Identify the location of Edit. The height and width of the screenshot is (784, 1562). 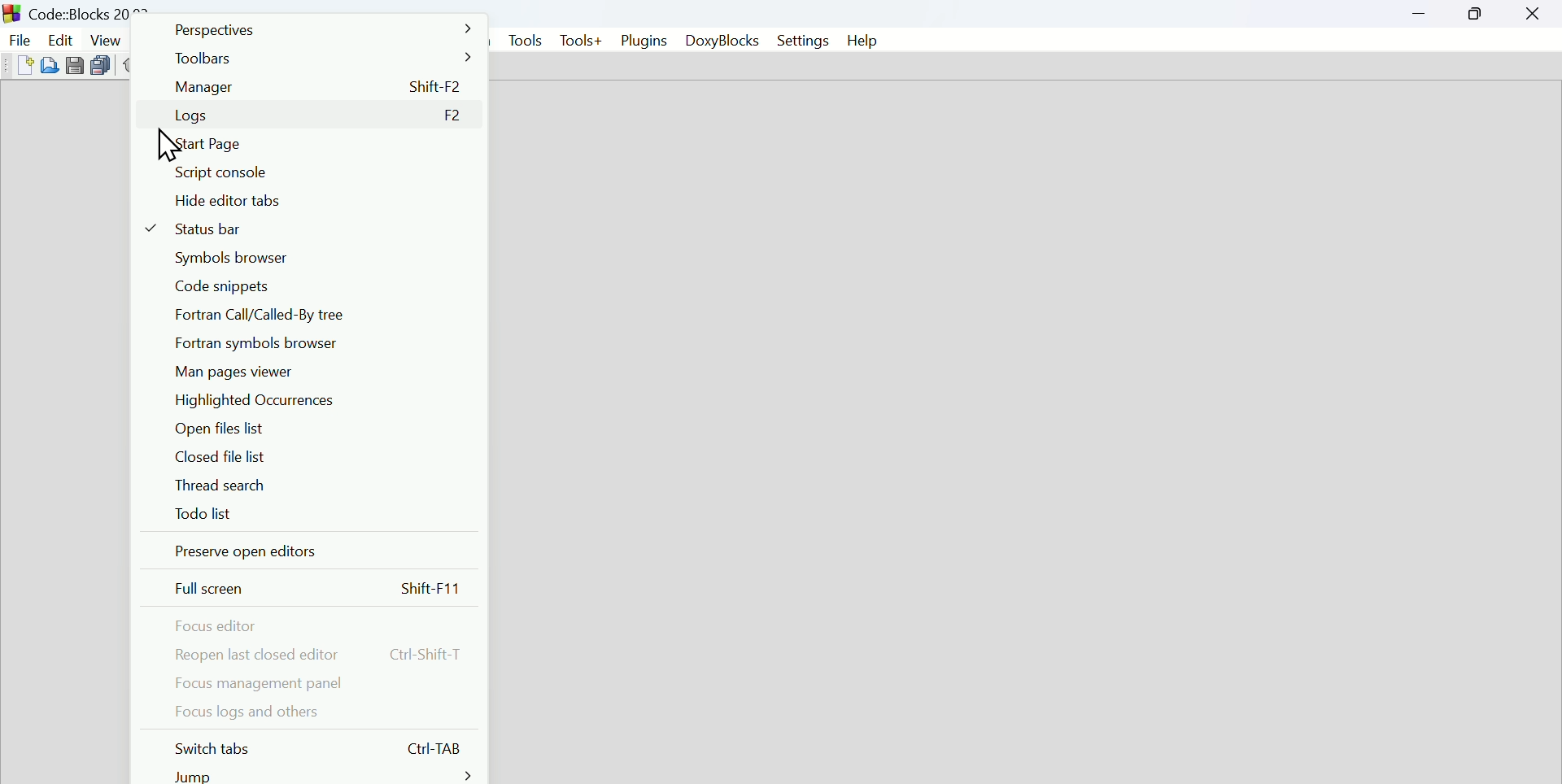
(60, 39).